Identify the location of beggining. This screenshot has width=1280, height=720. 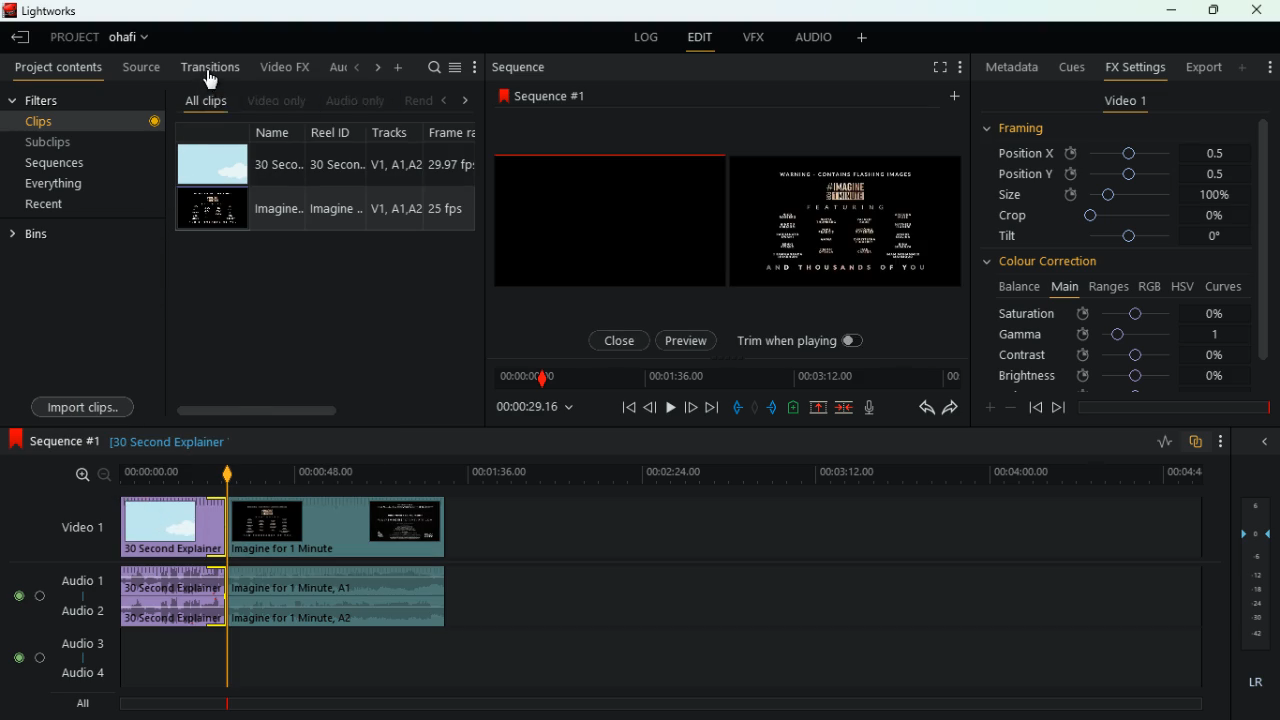
(622, 407).